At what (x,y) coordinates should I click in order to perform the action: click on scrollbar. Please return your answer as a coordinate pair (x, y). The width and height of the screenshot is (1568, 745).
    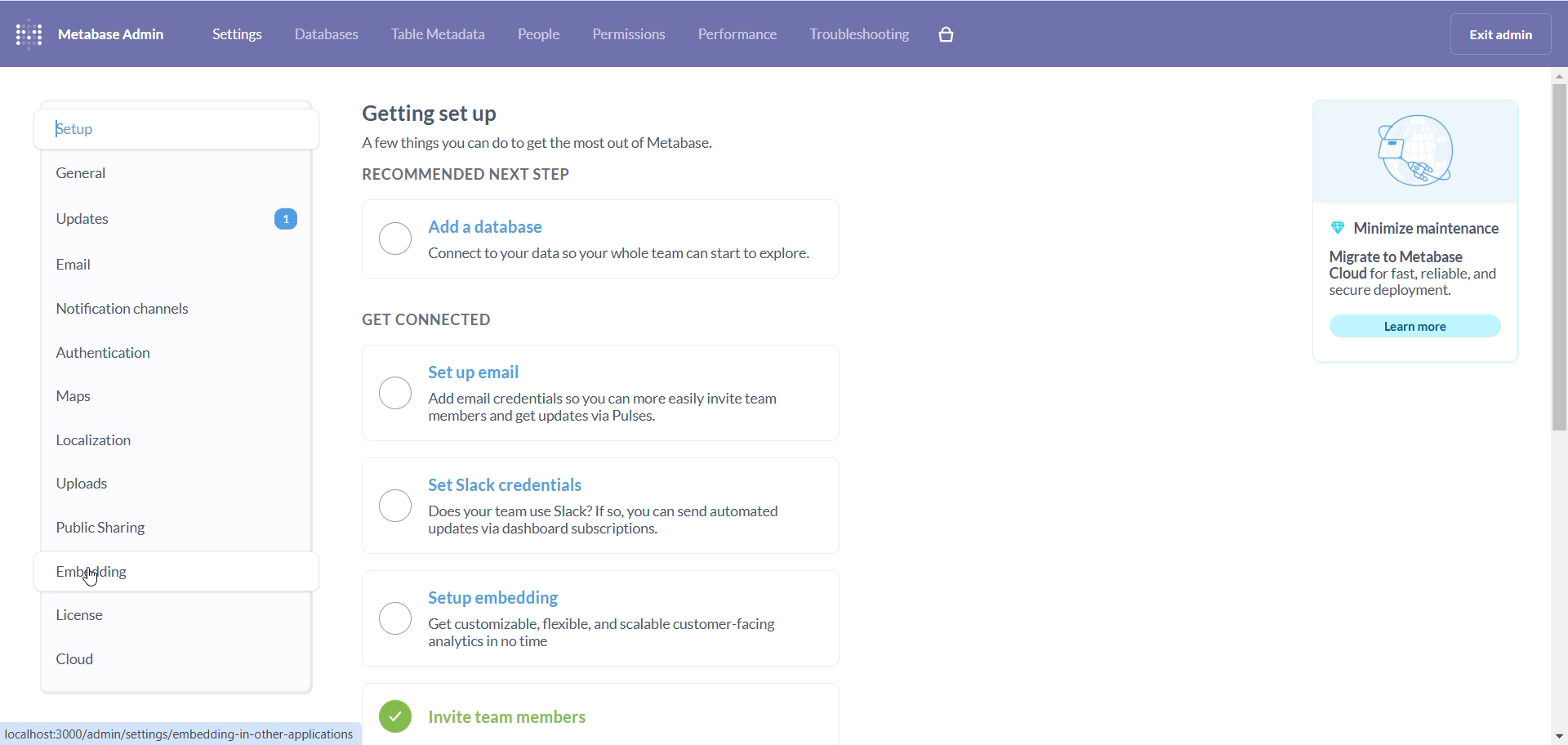
    Looking at the image, I should click on (1557, 283).